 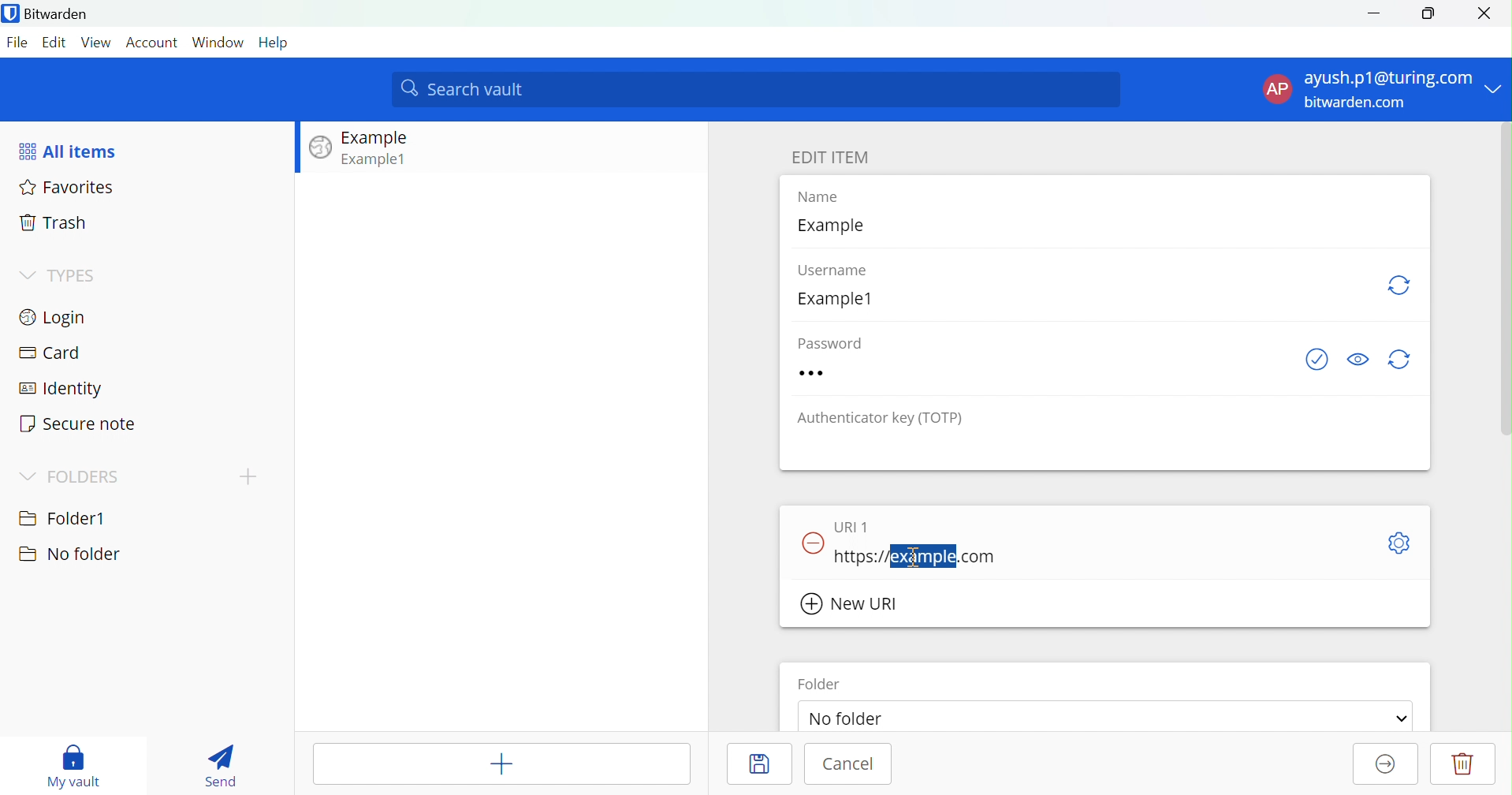 I want to click on View, so click(x=98, y=42).